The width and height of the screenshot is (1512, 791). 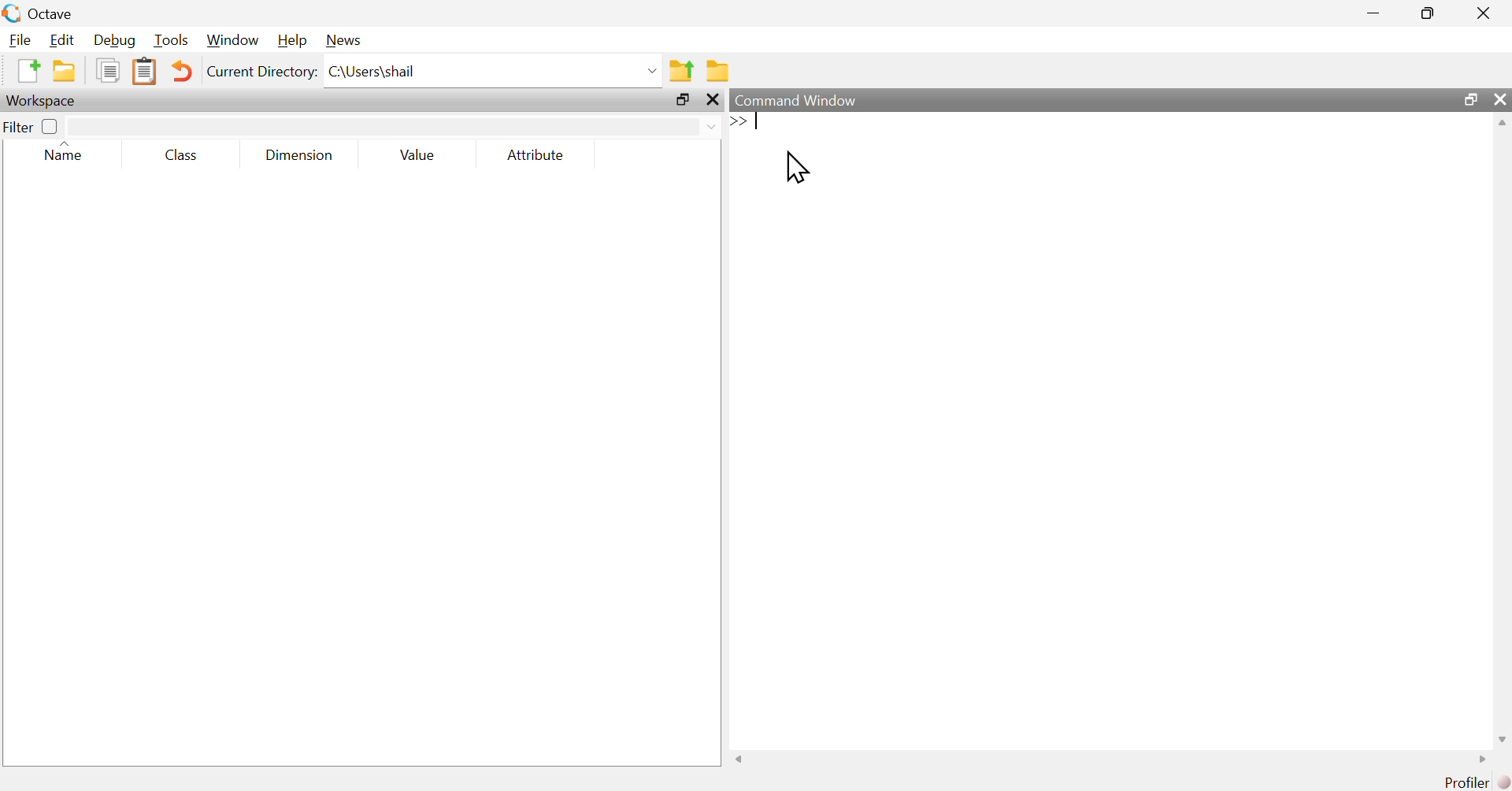 What do you see at coordinates (1060, 100) in the screenshot?
I see `Command Window` at bounding box center [1060, 100].